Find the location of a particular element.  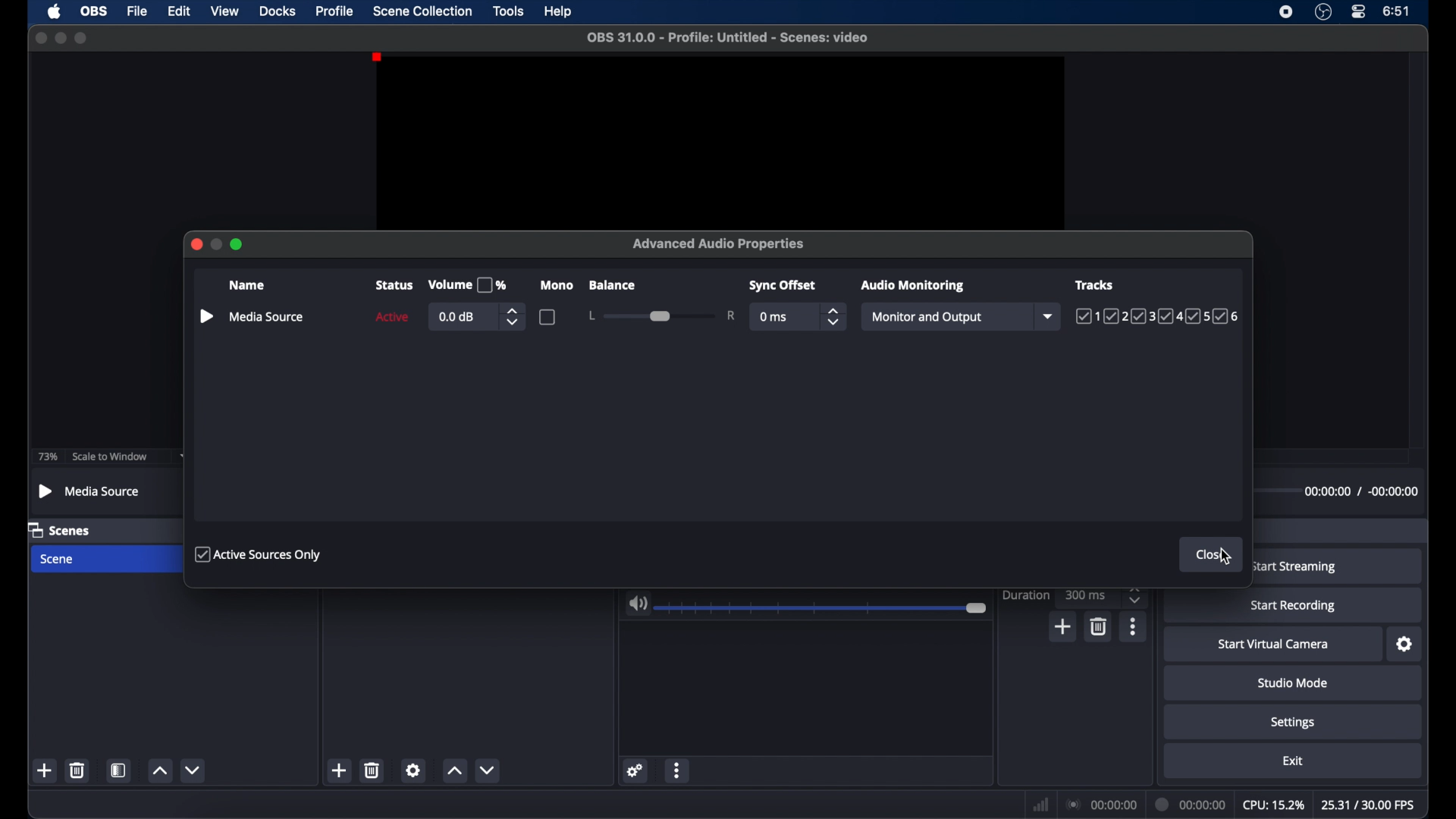

close is located at coordinates (40, 37).